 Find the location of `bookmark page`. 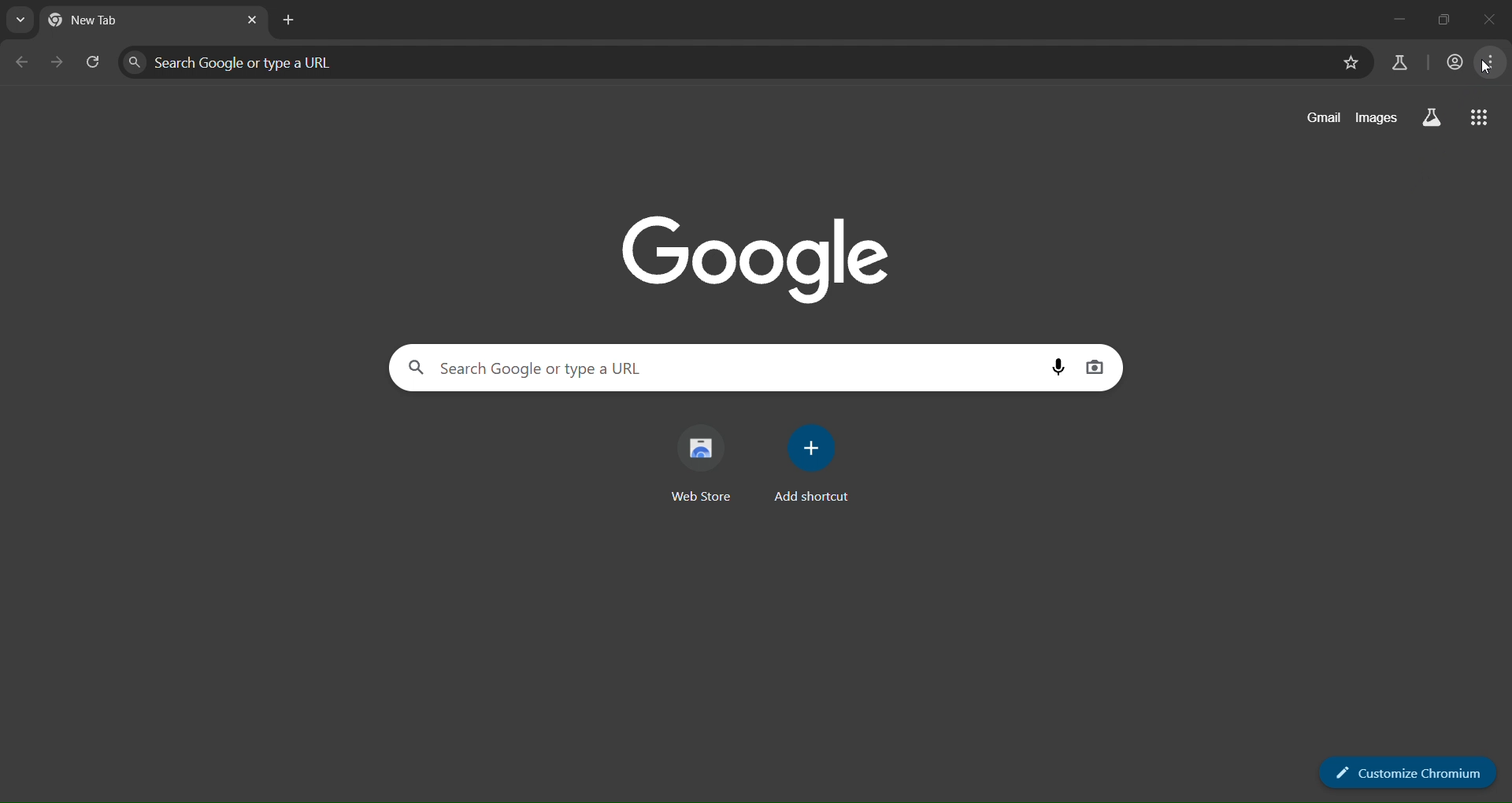

bookmark page is located at coordinates (1351, 62).